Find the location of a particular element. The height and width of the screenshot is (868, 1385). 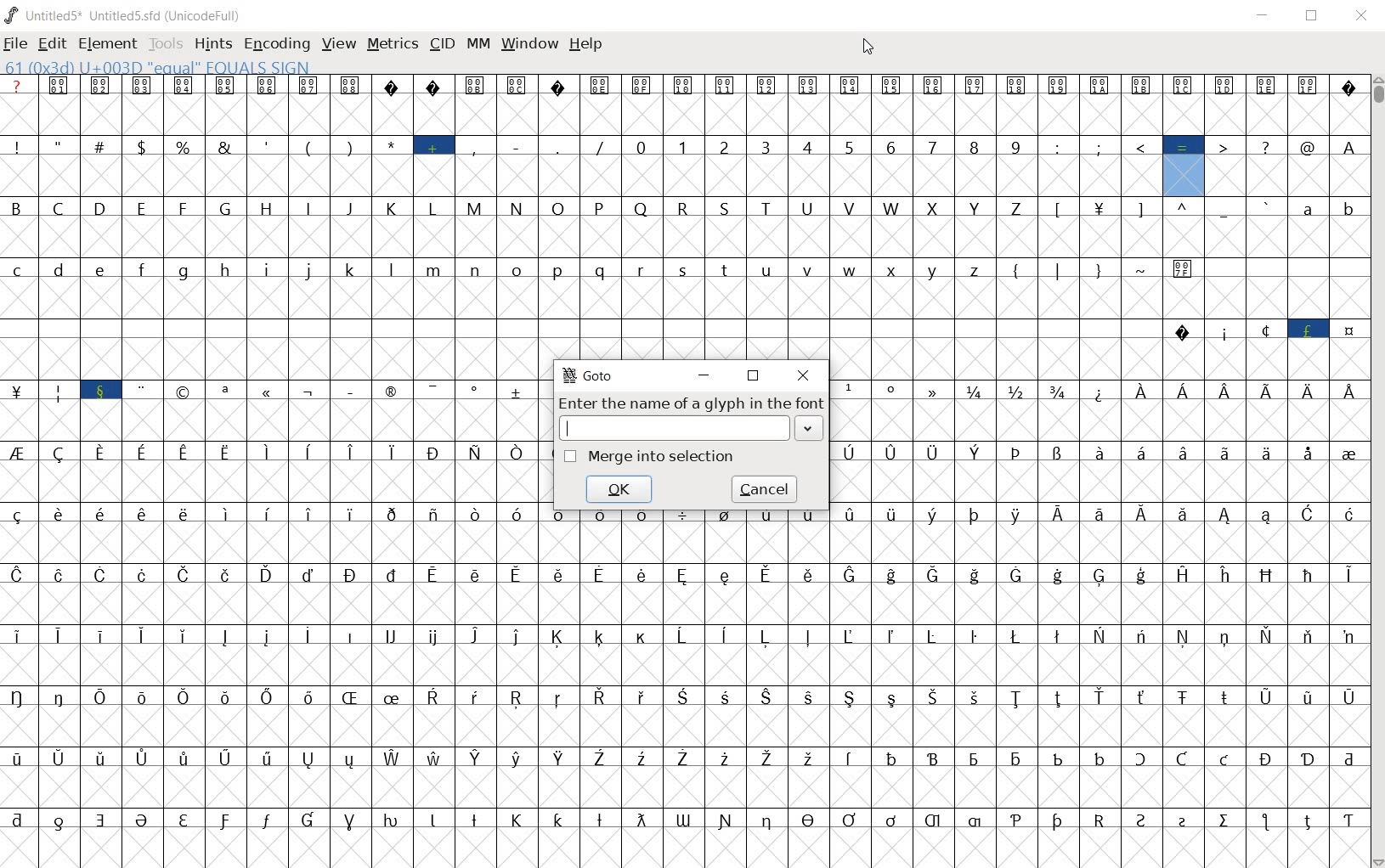

glyph characters is located at coordinates (953, 703).